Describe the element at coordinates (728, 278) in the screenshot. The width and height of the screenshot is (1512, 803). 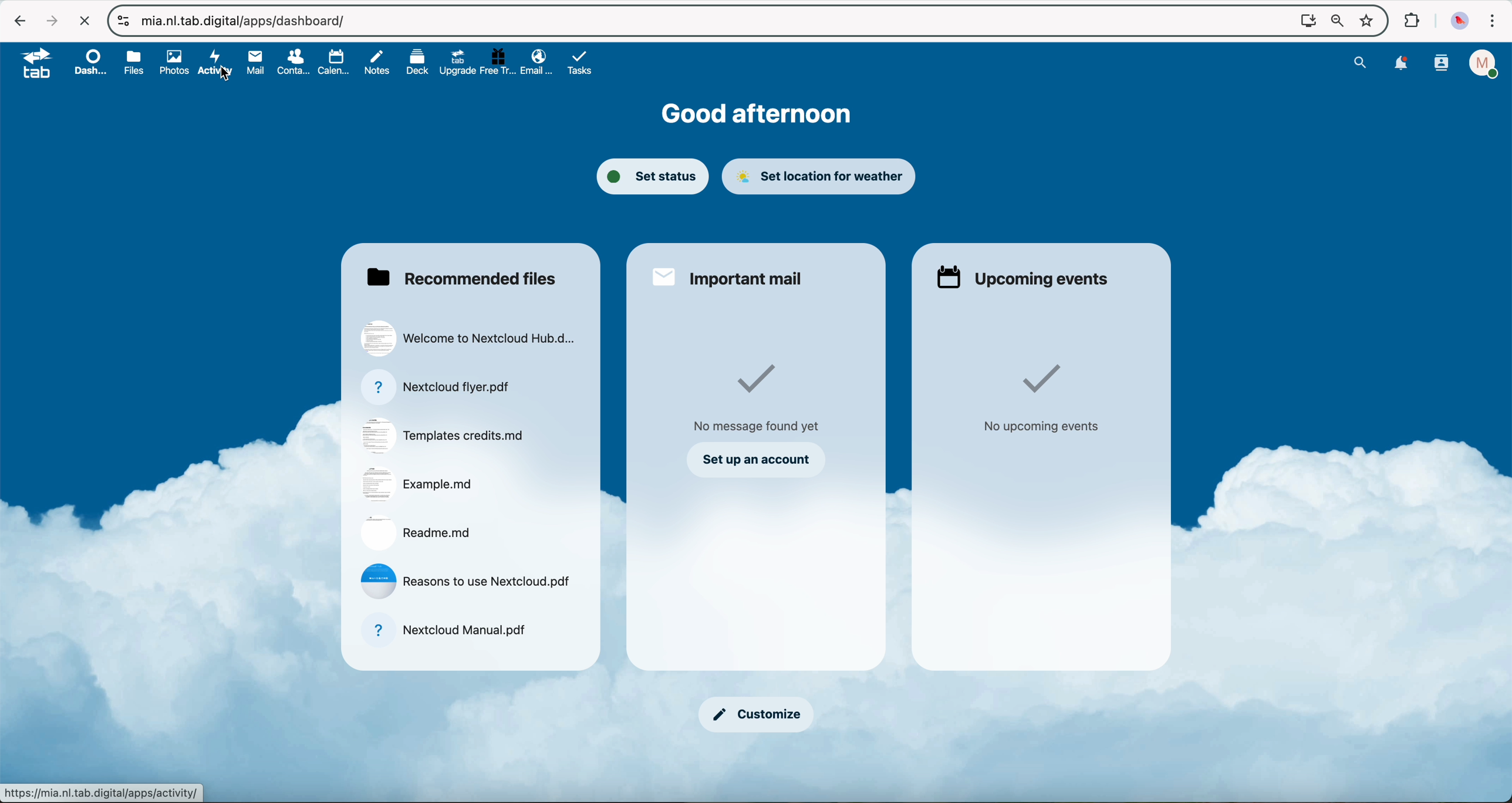
I see `important mail` at that location.